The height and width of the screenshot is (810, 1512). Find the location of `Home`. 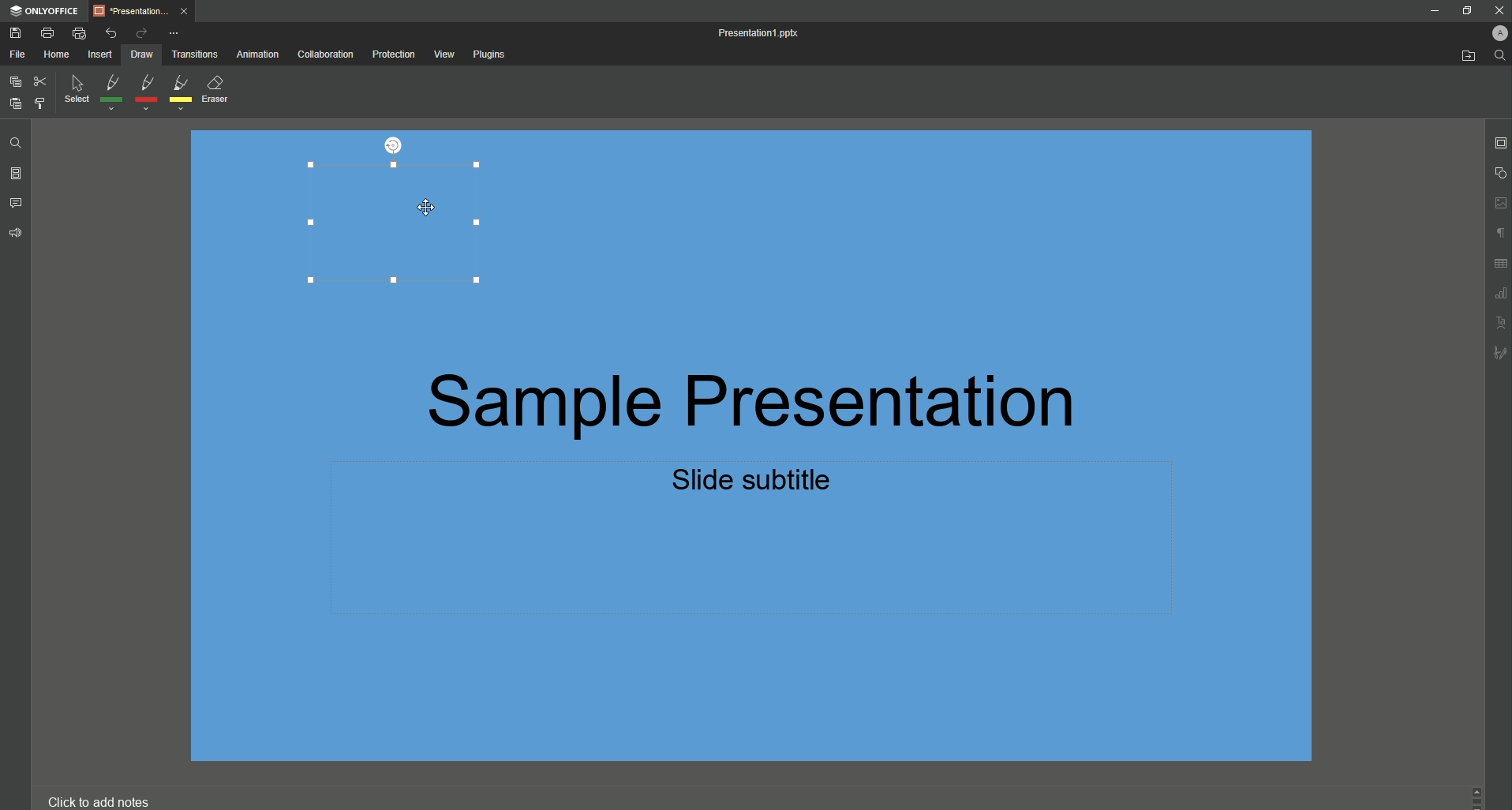

Home is located at coordinates (55, 54).